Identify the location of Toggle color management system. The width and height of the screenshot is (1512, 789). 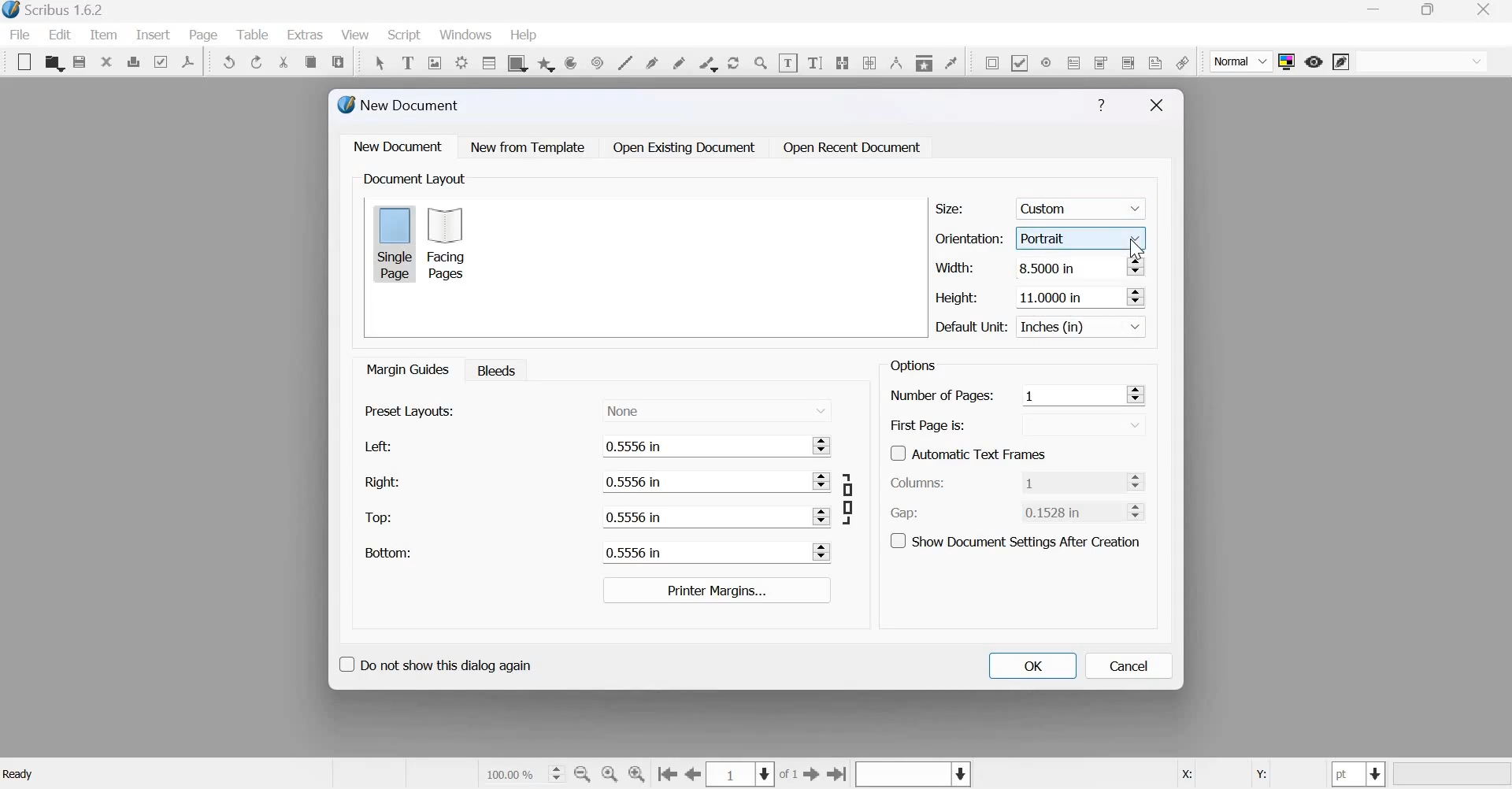
(1287, 61).